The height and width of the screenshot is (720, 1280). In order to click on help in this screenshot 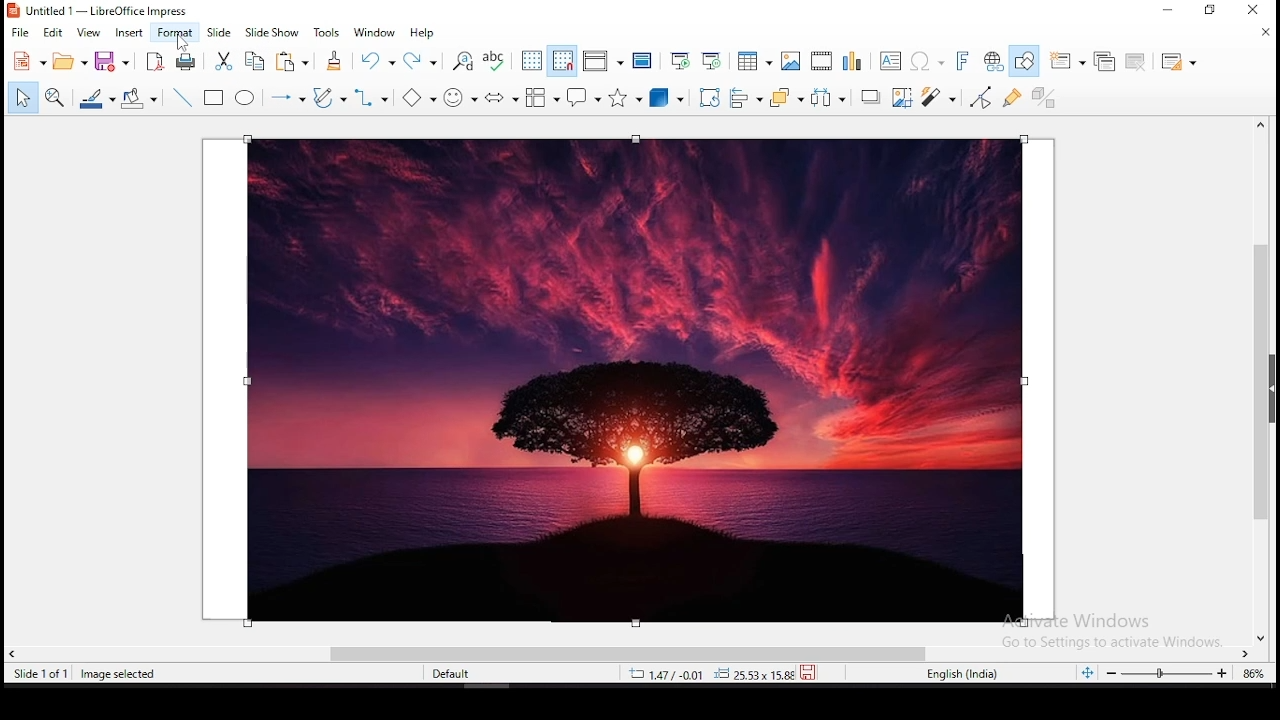, I will do `click(425, 34)`.